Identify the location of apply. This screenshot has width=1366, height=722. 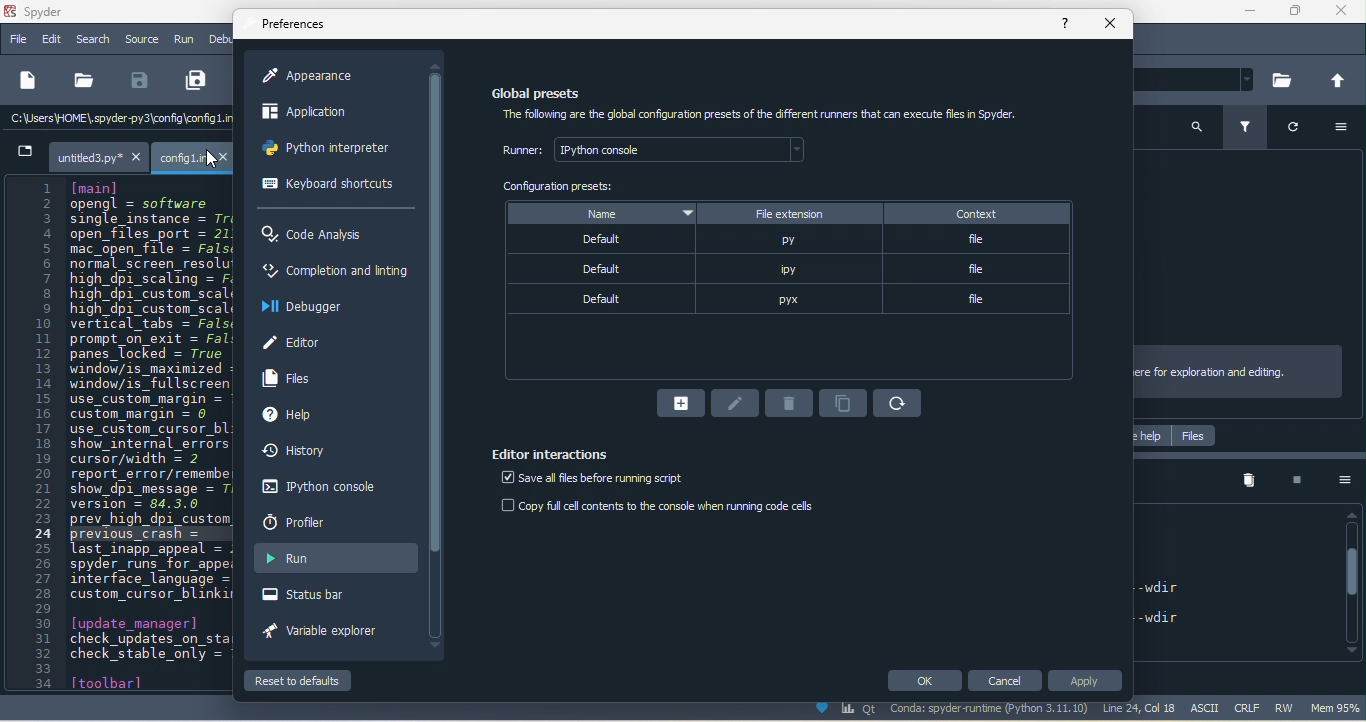
(1085, 681).